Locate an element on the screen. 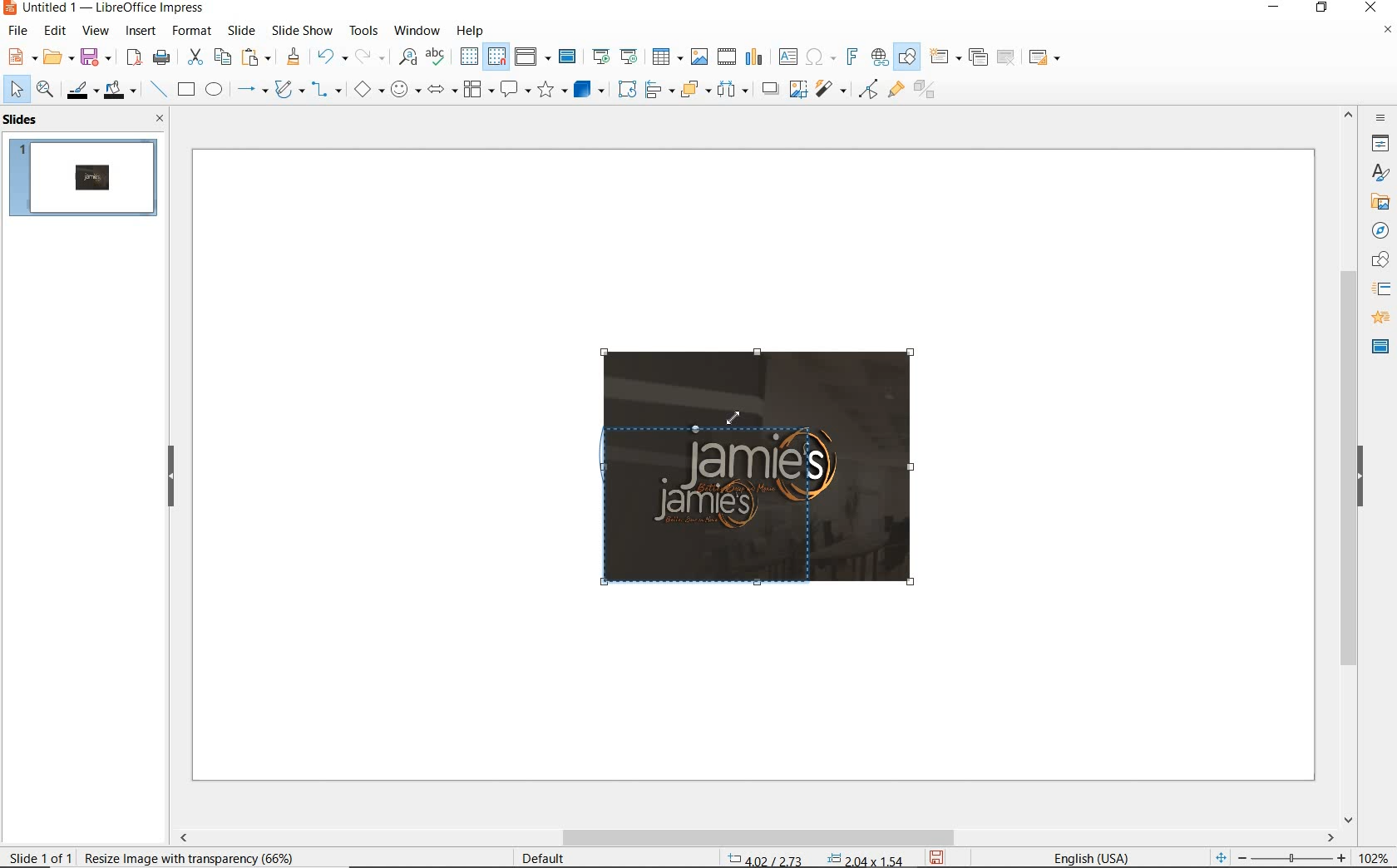 This screenshot has height=868, width=1397. format is located at coordinates (190, 30).